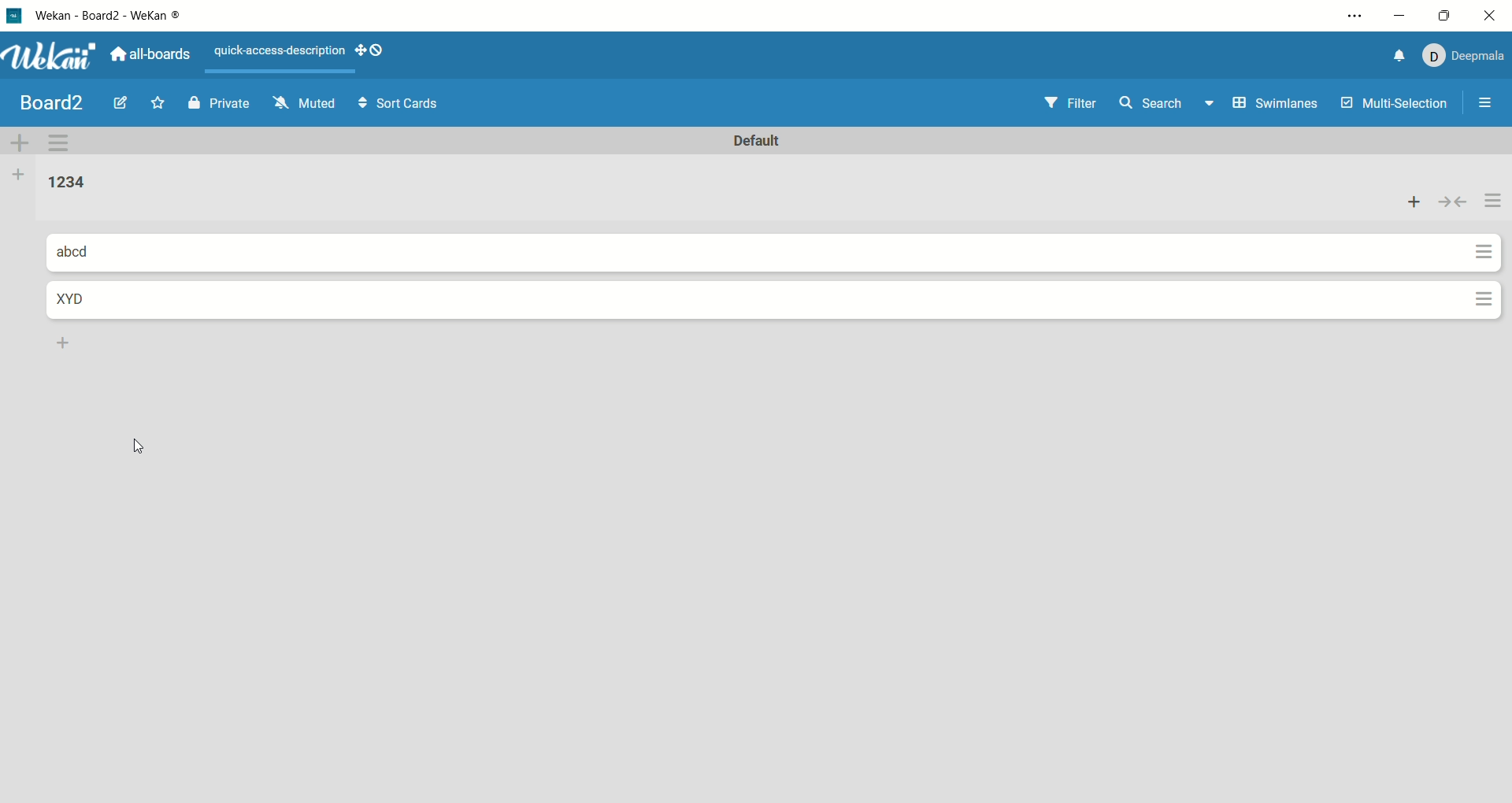 The image size is (1512, 803). Describe the element at coordinates (57, 181) in the screenshot. I see `list title` at that location.